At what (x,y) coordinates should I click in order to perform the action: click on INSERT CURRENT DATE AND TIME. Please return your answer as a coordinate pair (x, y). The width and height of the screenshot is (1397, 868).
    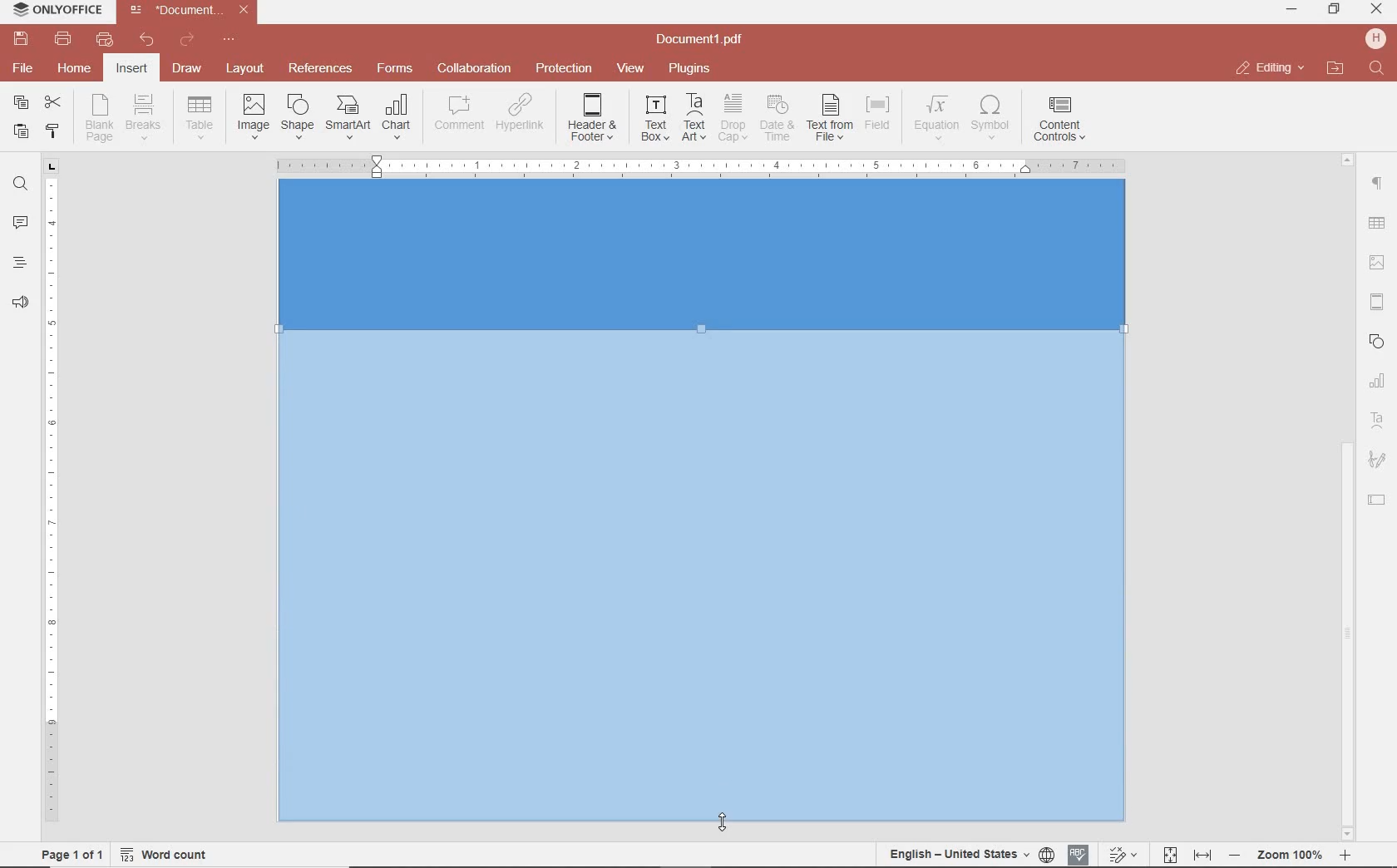
    Looking at the image, I should click on (775, 119).